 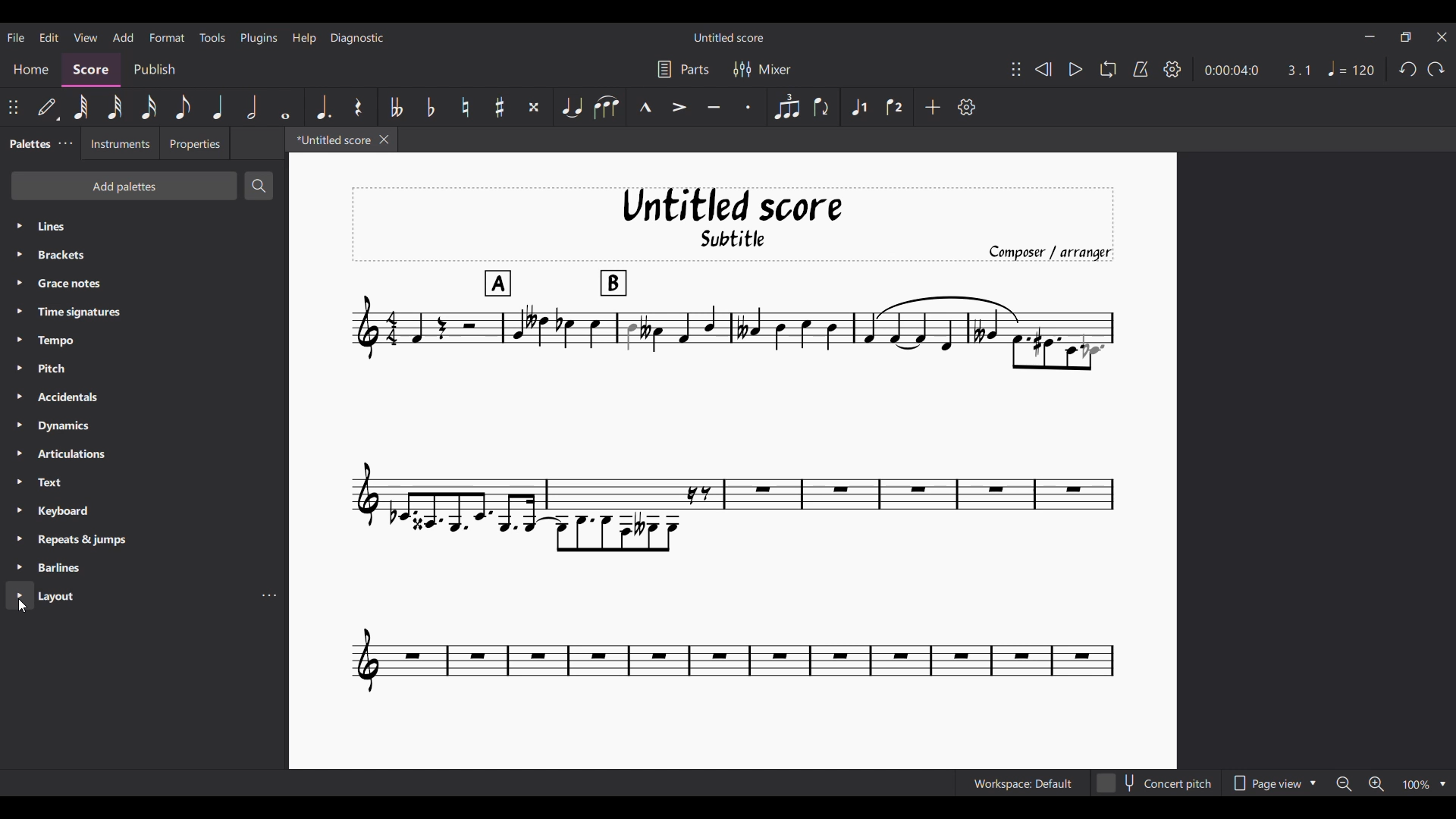 What do you see at coordinates (86, 38) in the screenshot?
I see `View menu` at bounding box center [86, 38].